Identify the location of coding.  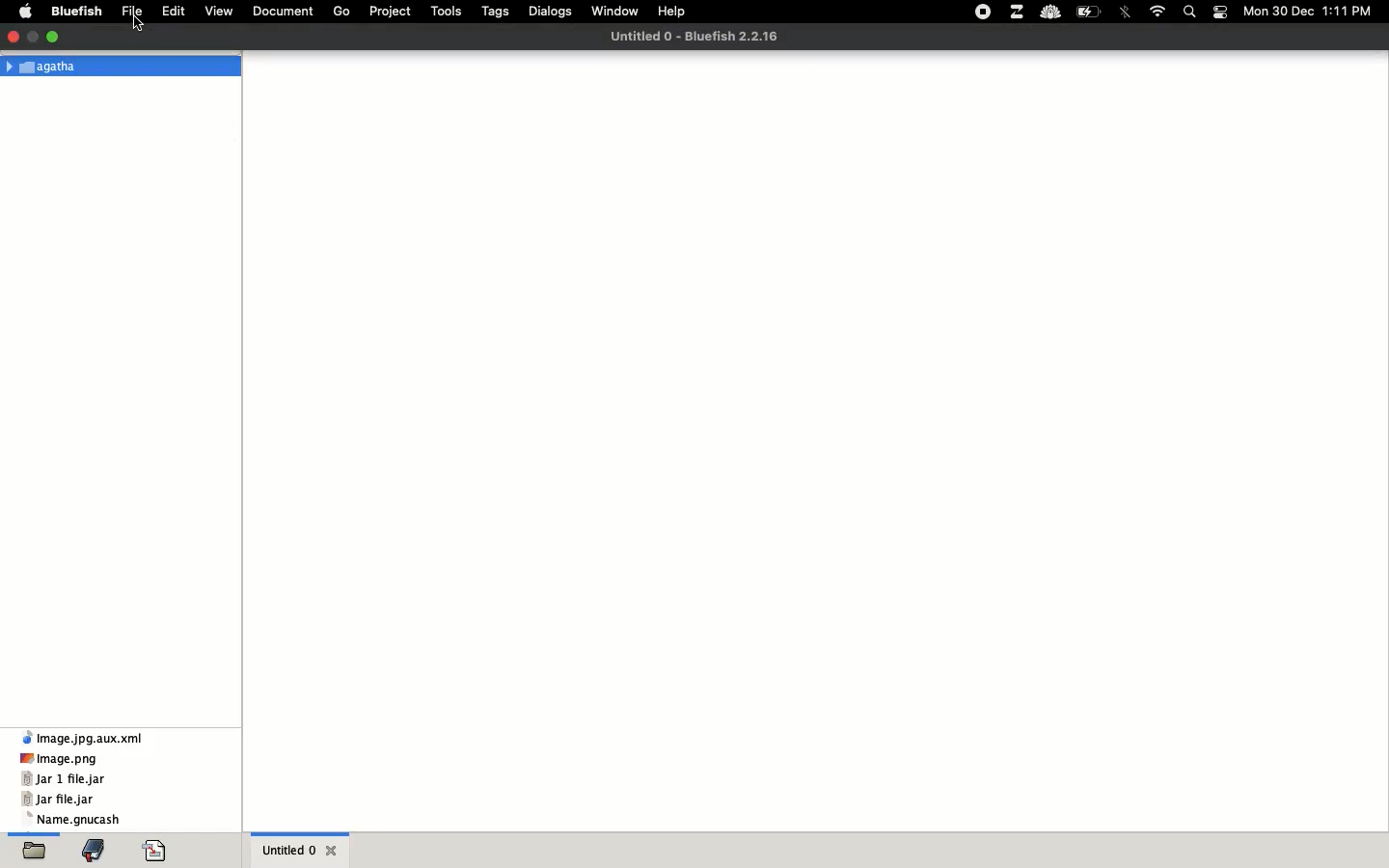
(160, 852).